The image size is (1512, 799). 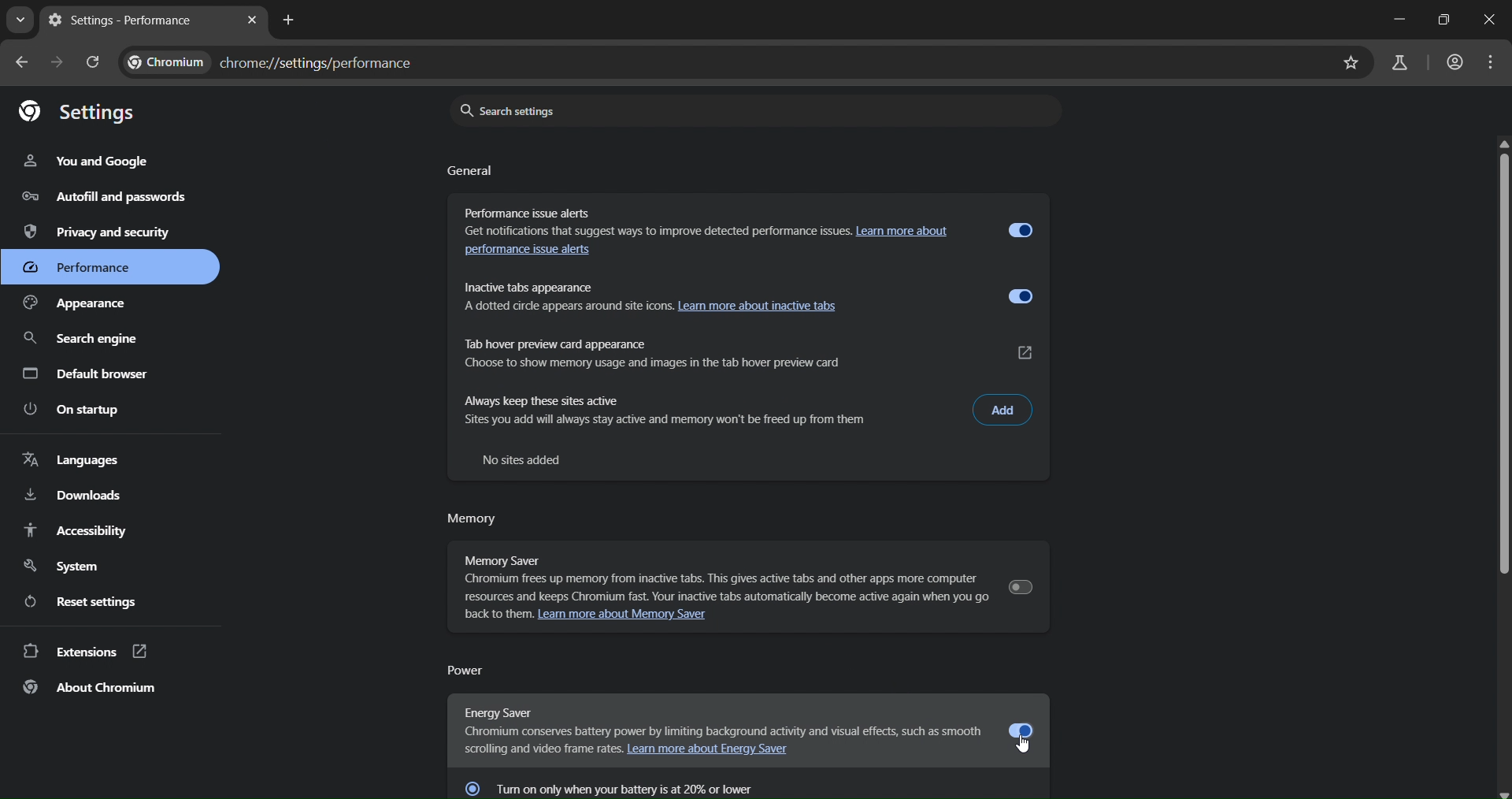 What do you see at coordinates (1489, 62) in the screenshot?
I see `menu` at bounding box center [1489, 62].